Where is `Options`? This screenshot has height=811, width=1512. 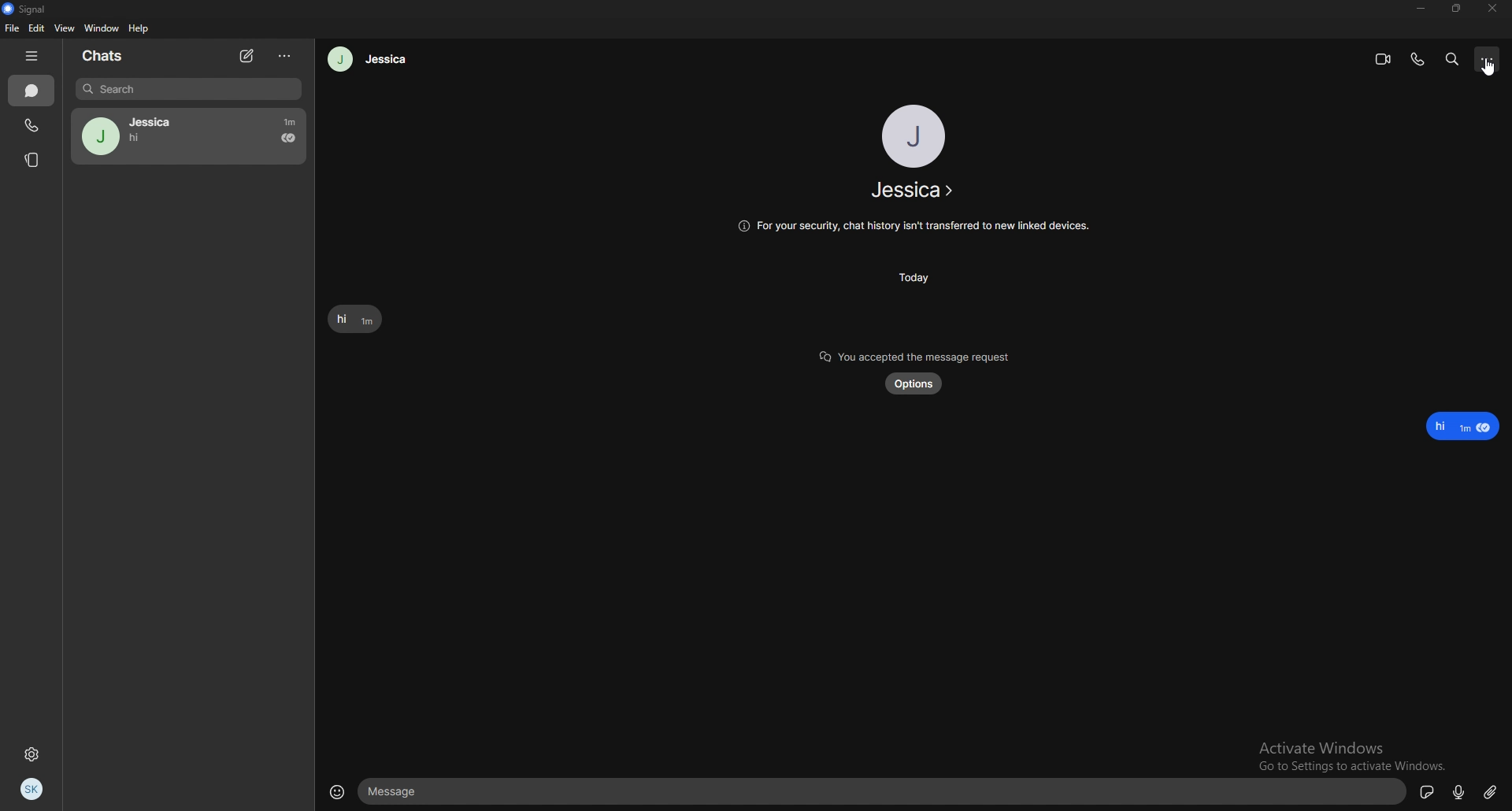
Options is located at coordinates (915, 385).